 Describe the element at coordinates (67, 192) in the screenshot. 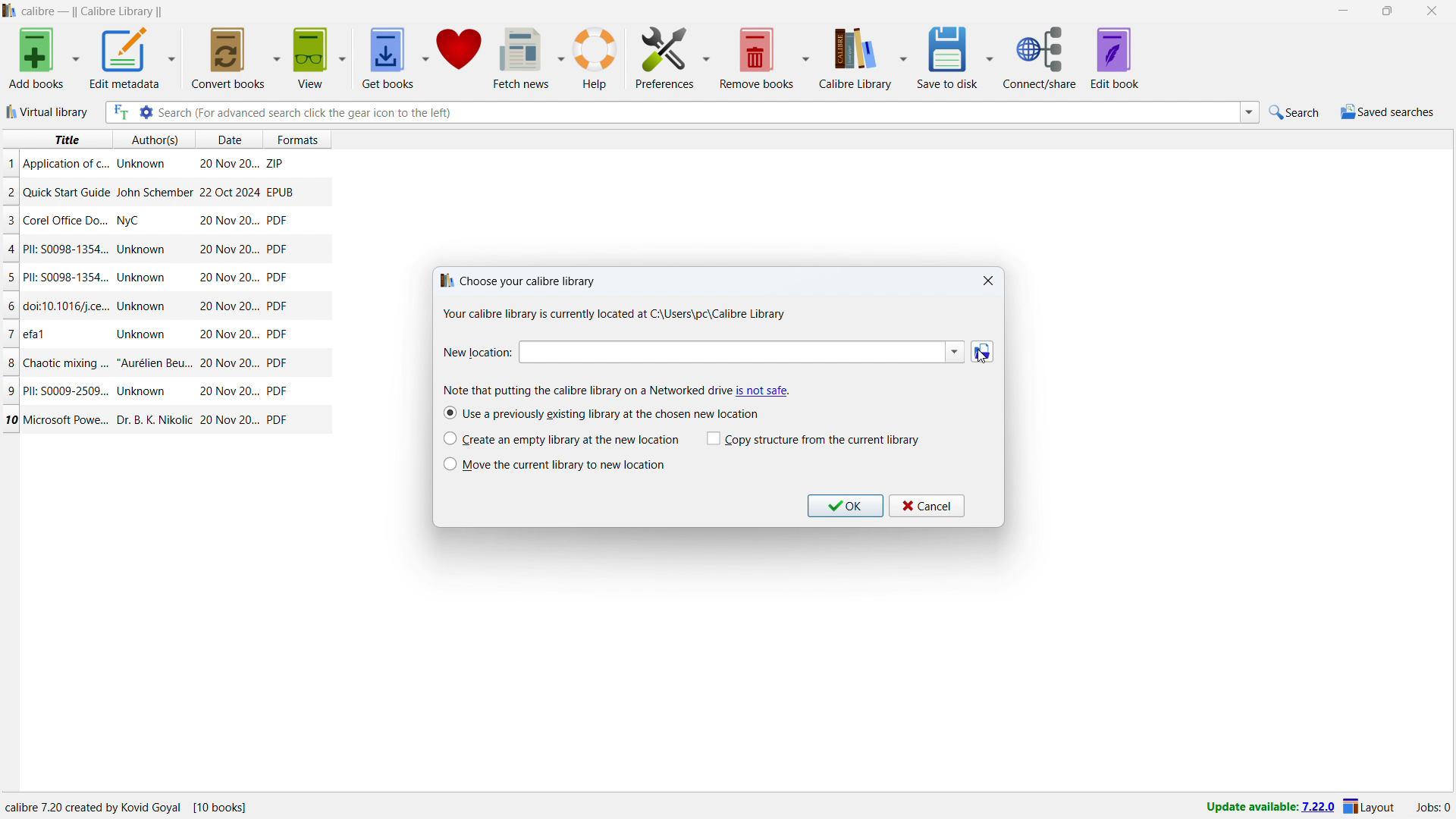

I see `Title` at that location.